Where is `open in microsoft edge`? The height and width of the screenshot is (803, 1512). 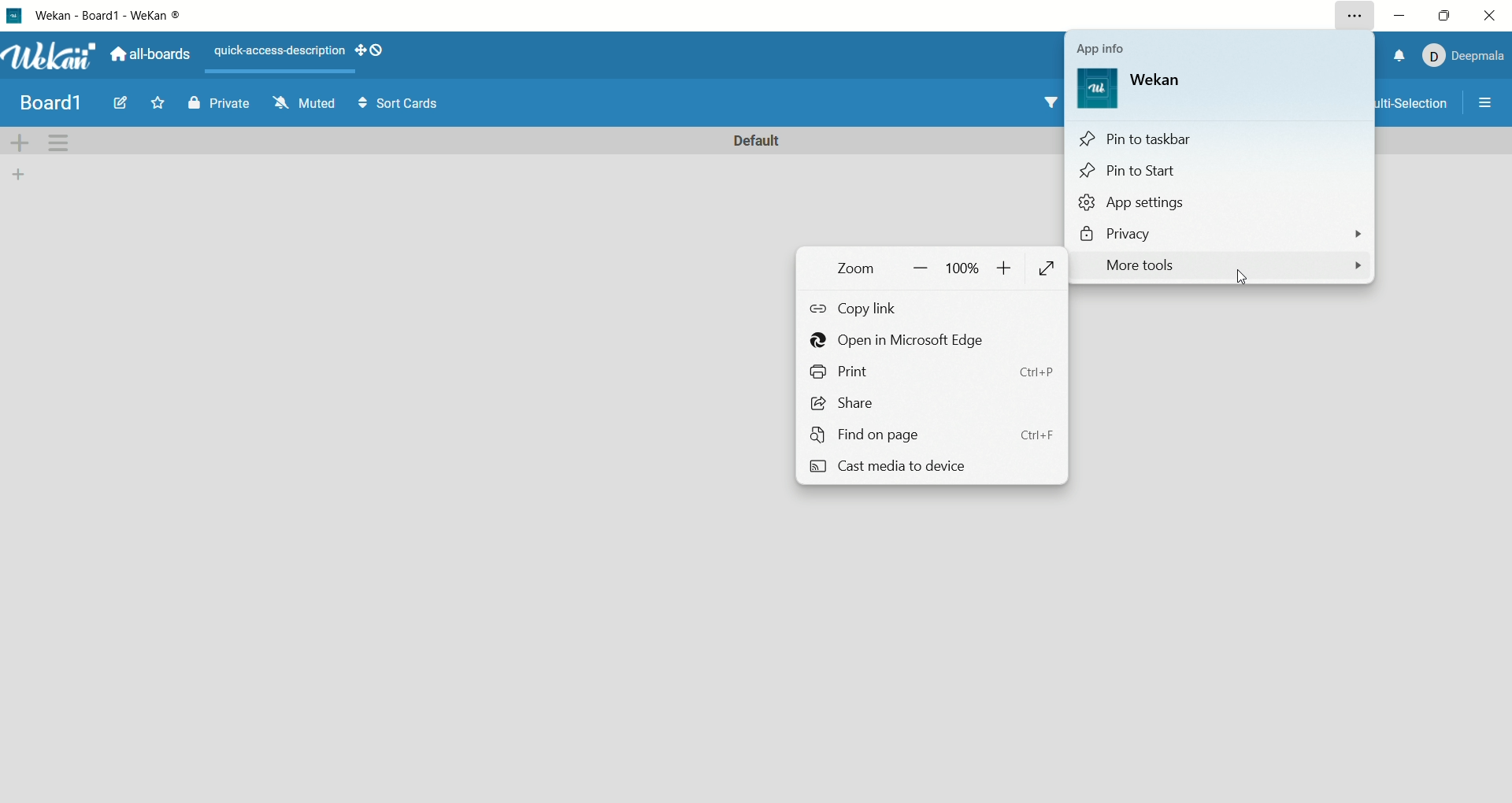 open in microsoft edge is located at coordinates (899, 343).